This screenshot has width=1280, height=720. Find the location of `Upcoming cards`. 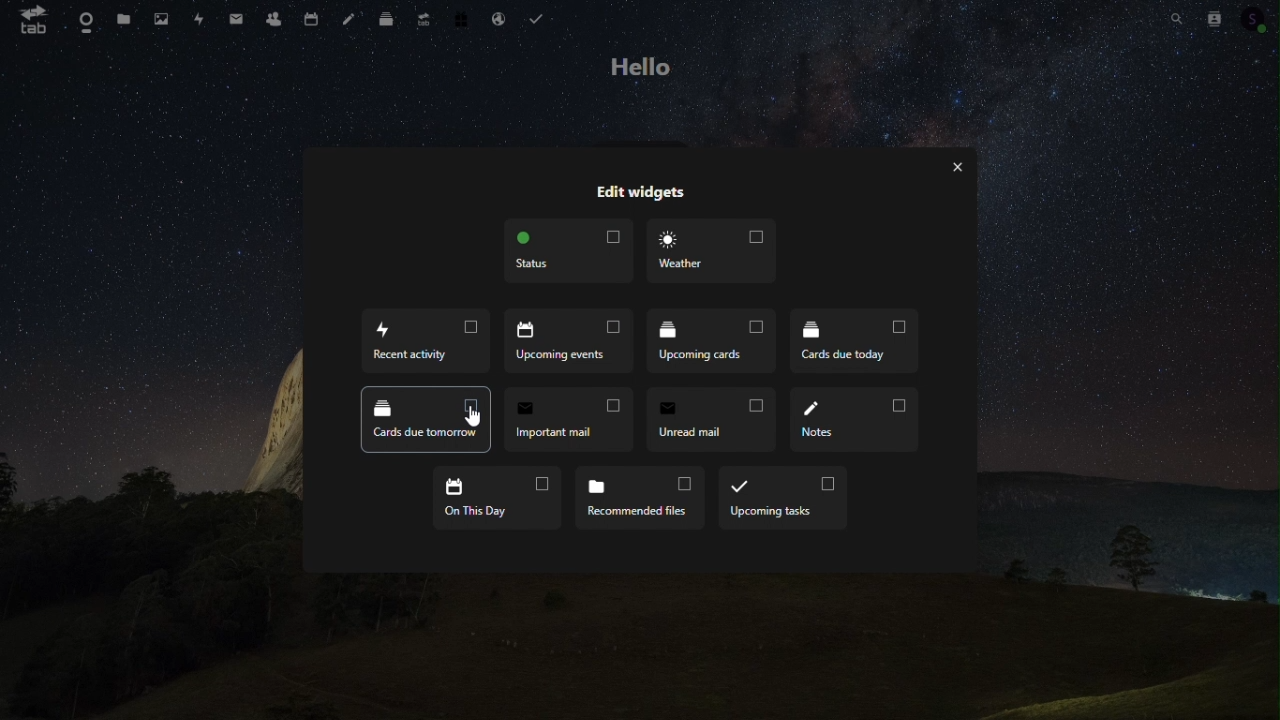

Upcoming cards is located at coordinates (713, 342).